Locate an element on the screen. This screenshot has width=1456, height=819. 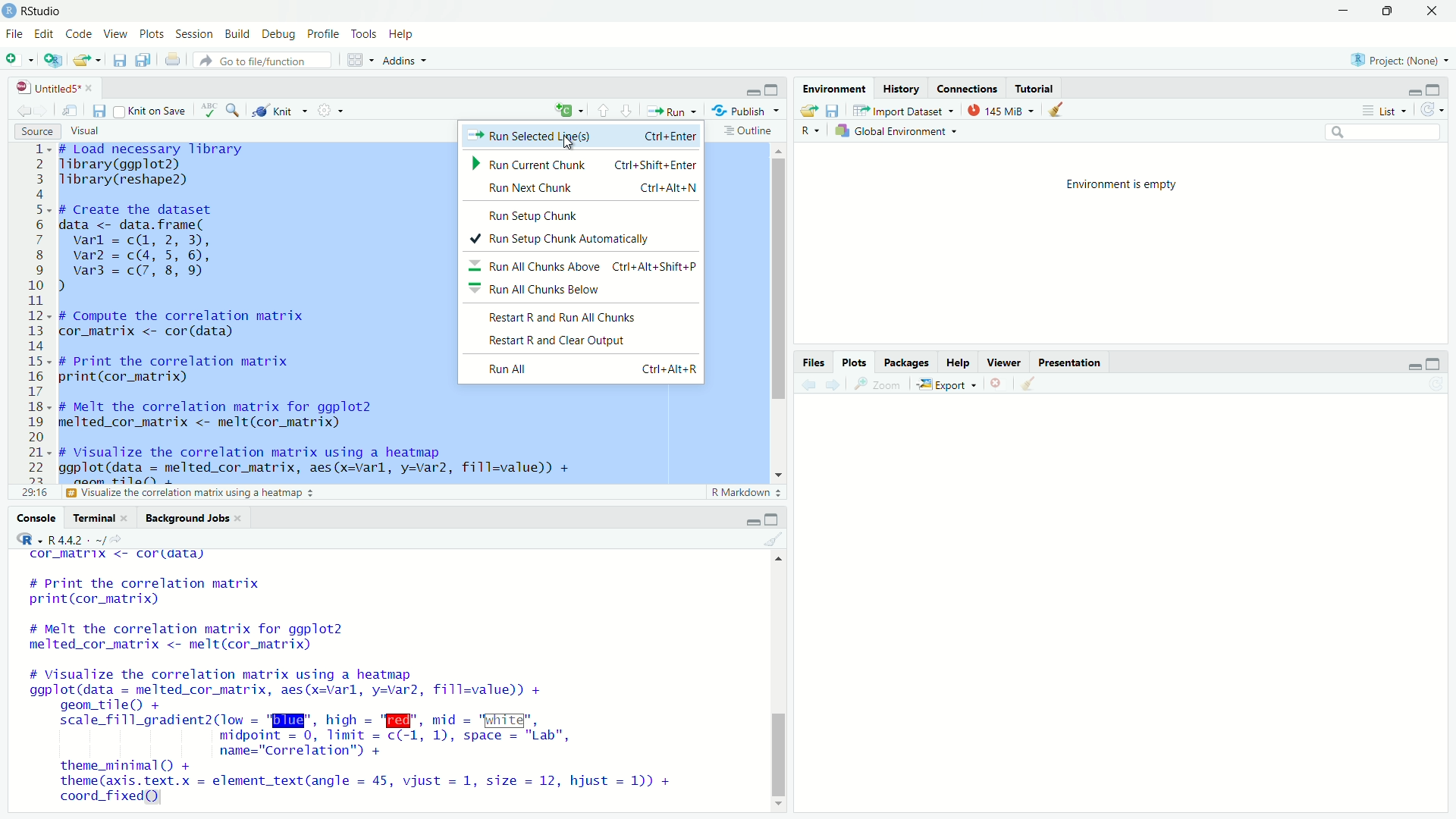
view is located at coordinates (116, 35).